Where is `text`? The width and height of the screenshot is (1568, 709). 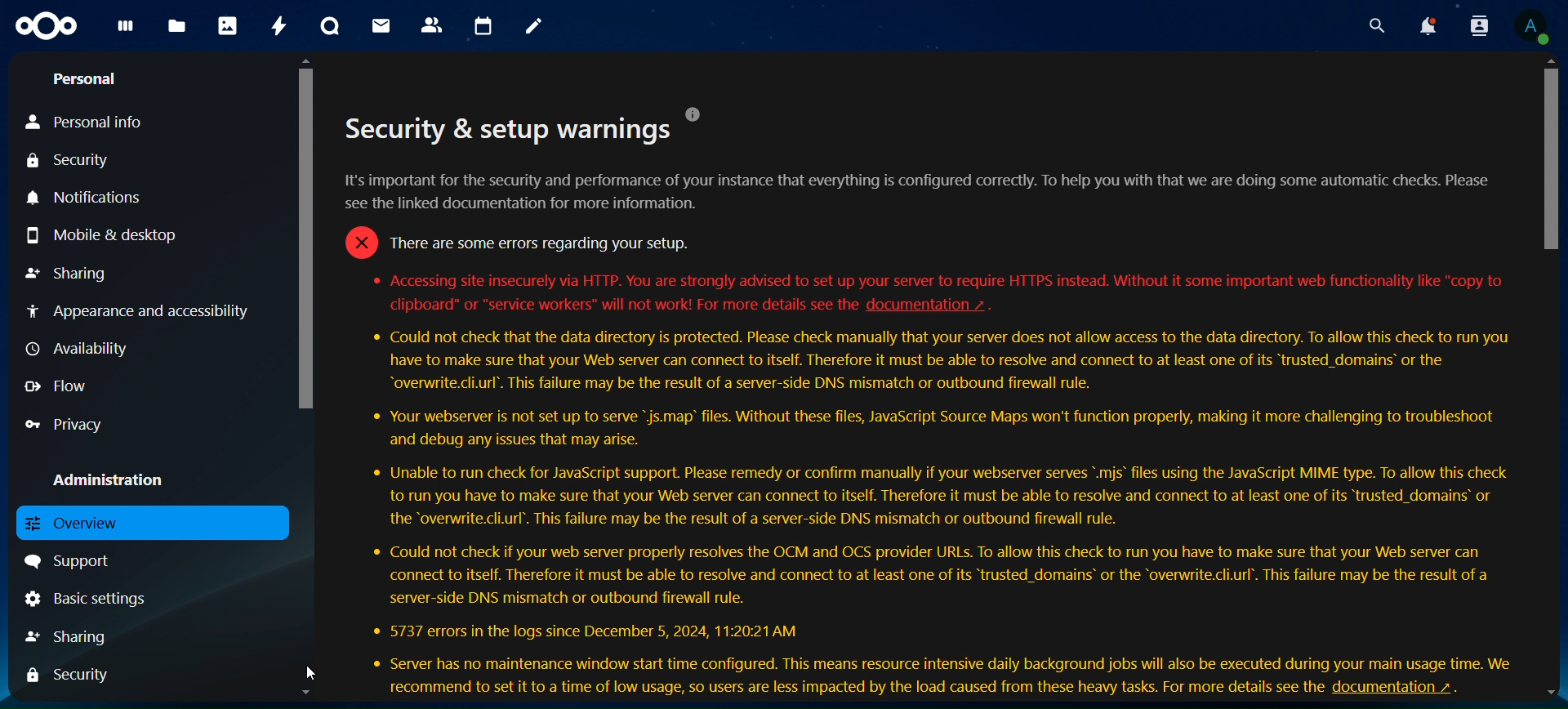 text is located at coordinates (931, 501).